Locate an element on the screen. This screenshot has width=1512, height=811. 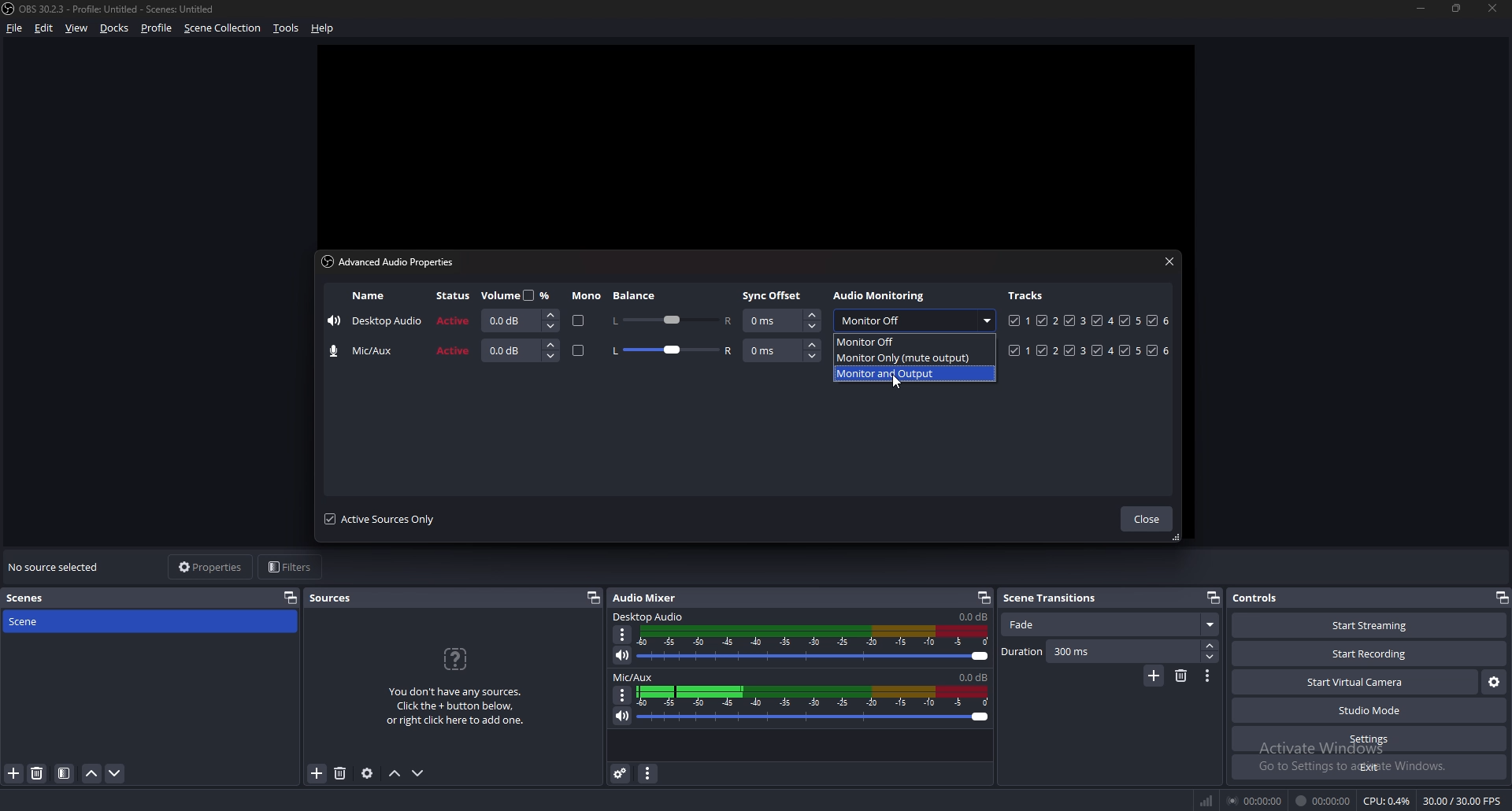
stuatus is located at coordinates (455, 296).